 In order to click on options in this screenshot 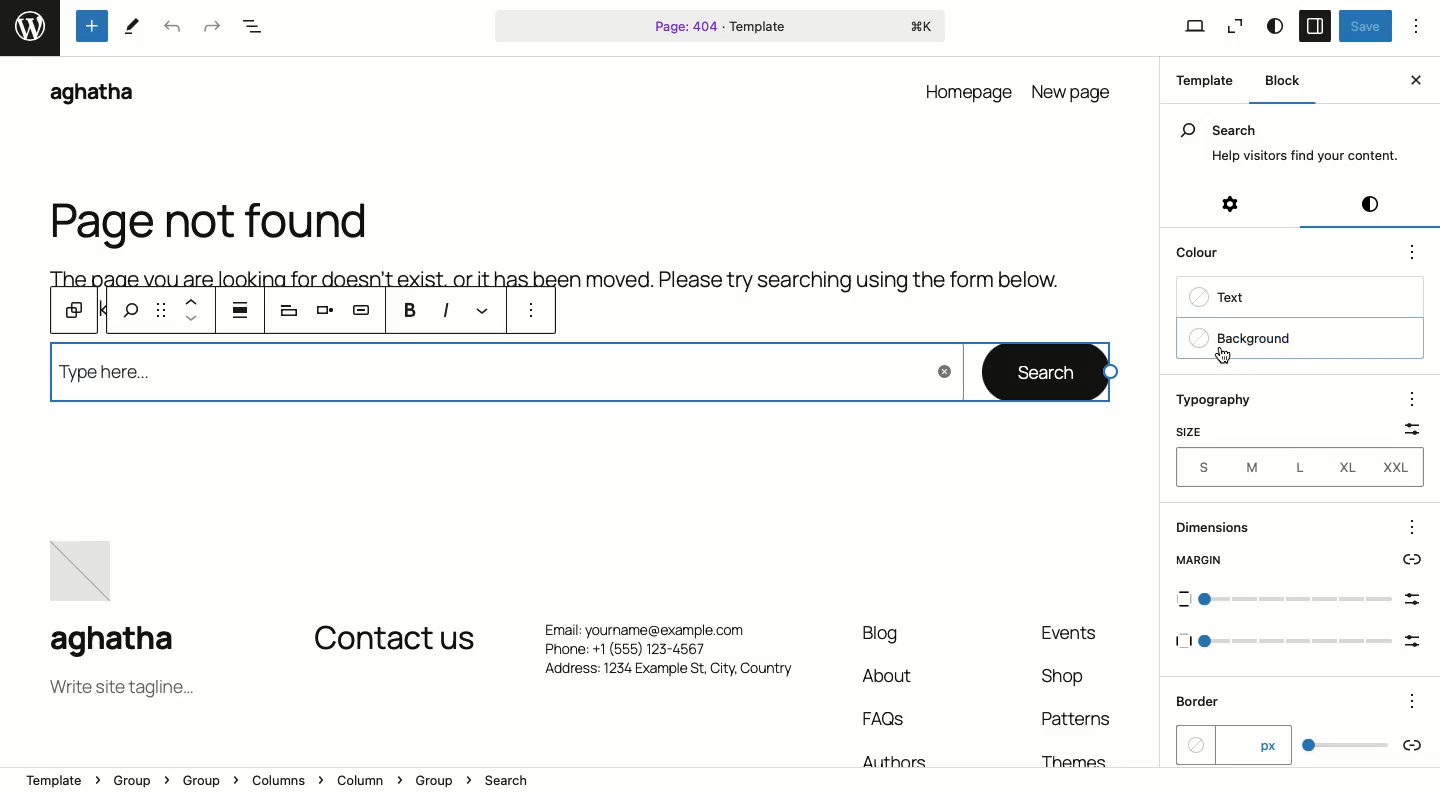, I will do `click(1413, 253)`.